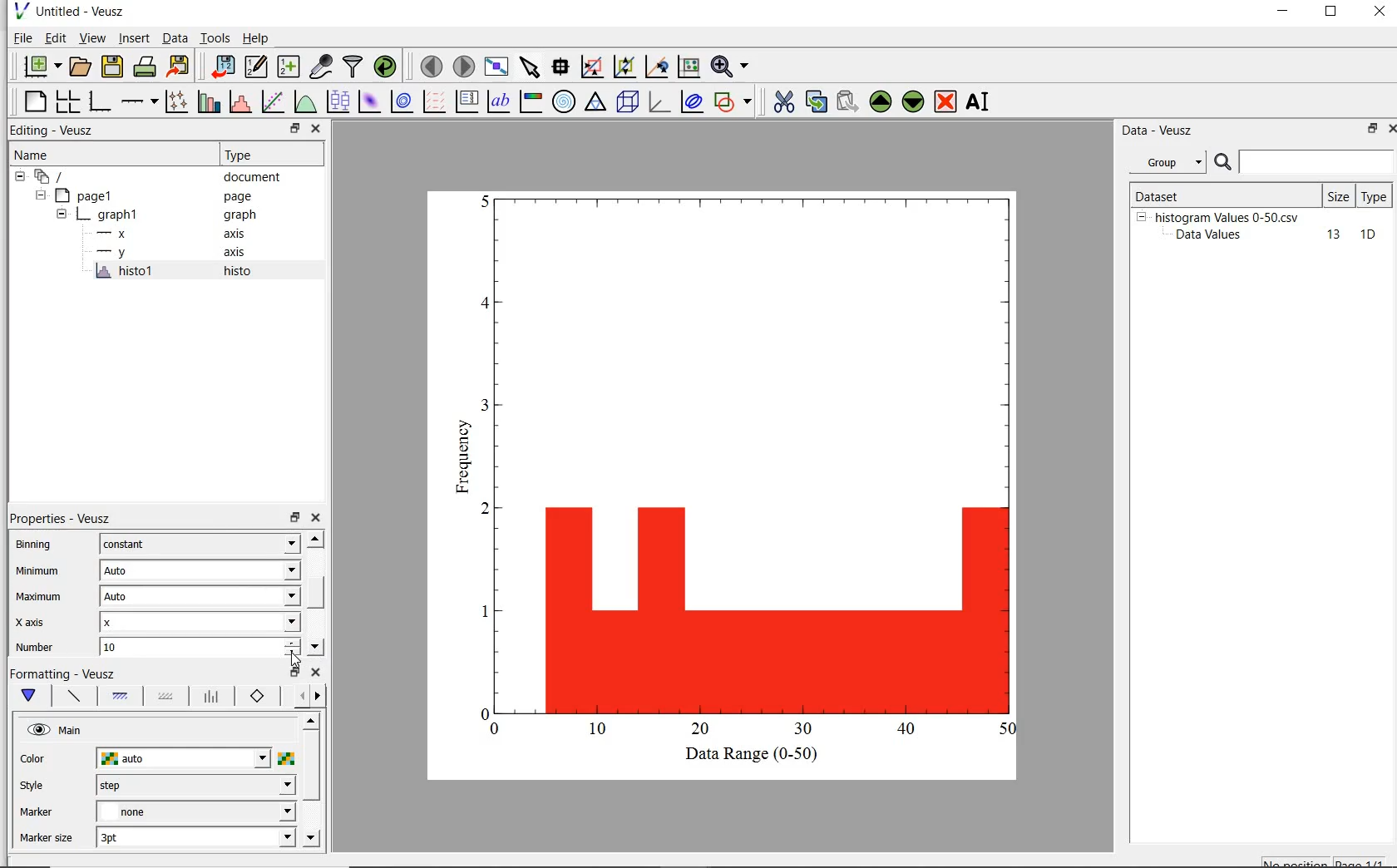 The image size is (1397, 868). What do you see at coordinates (532, 101) in the screenshot?
I see `image color bar` at bounding box center [532, 101].